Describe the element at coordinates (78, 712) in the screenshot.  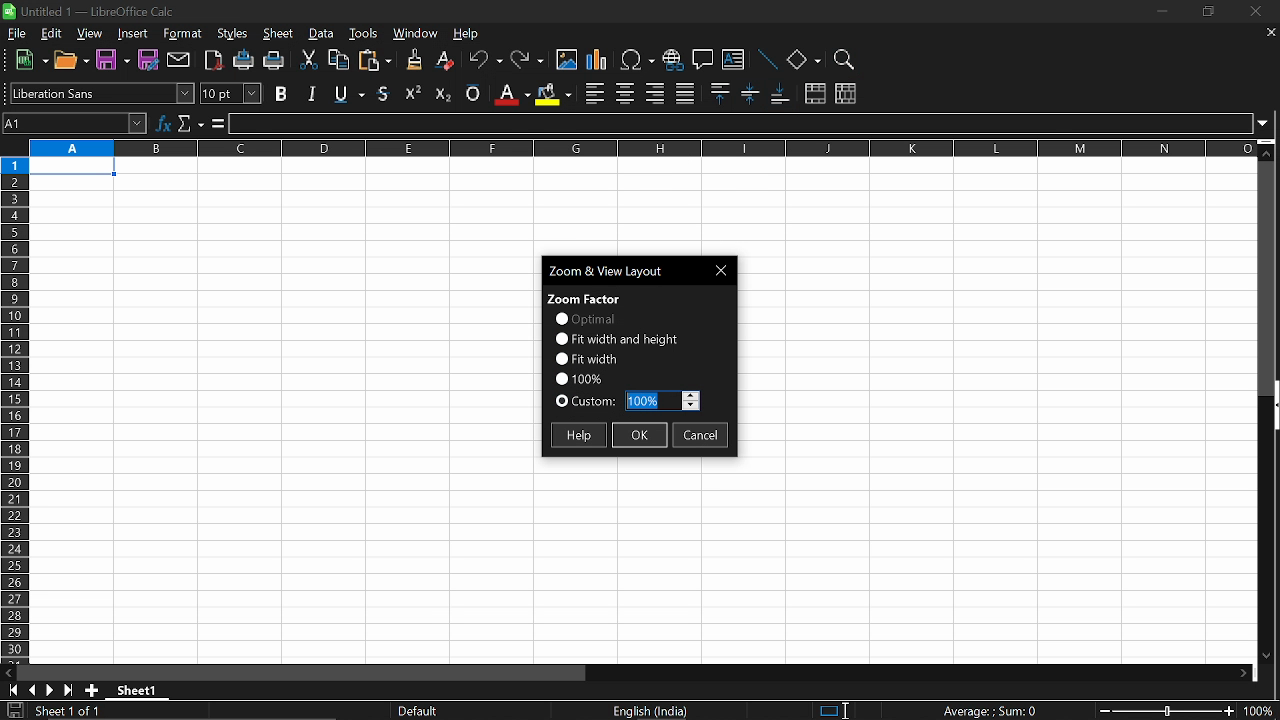
I see `current sheet` at that location.